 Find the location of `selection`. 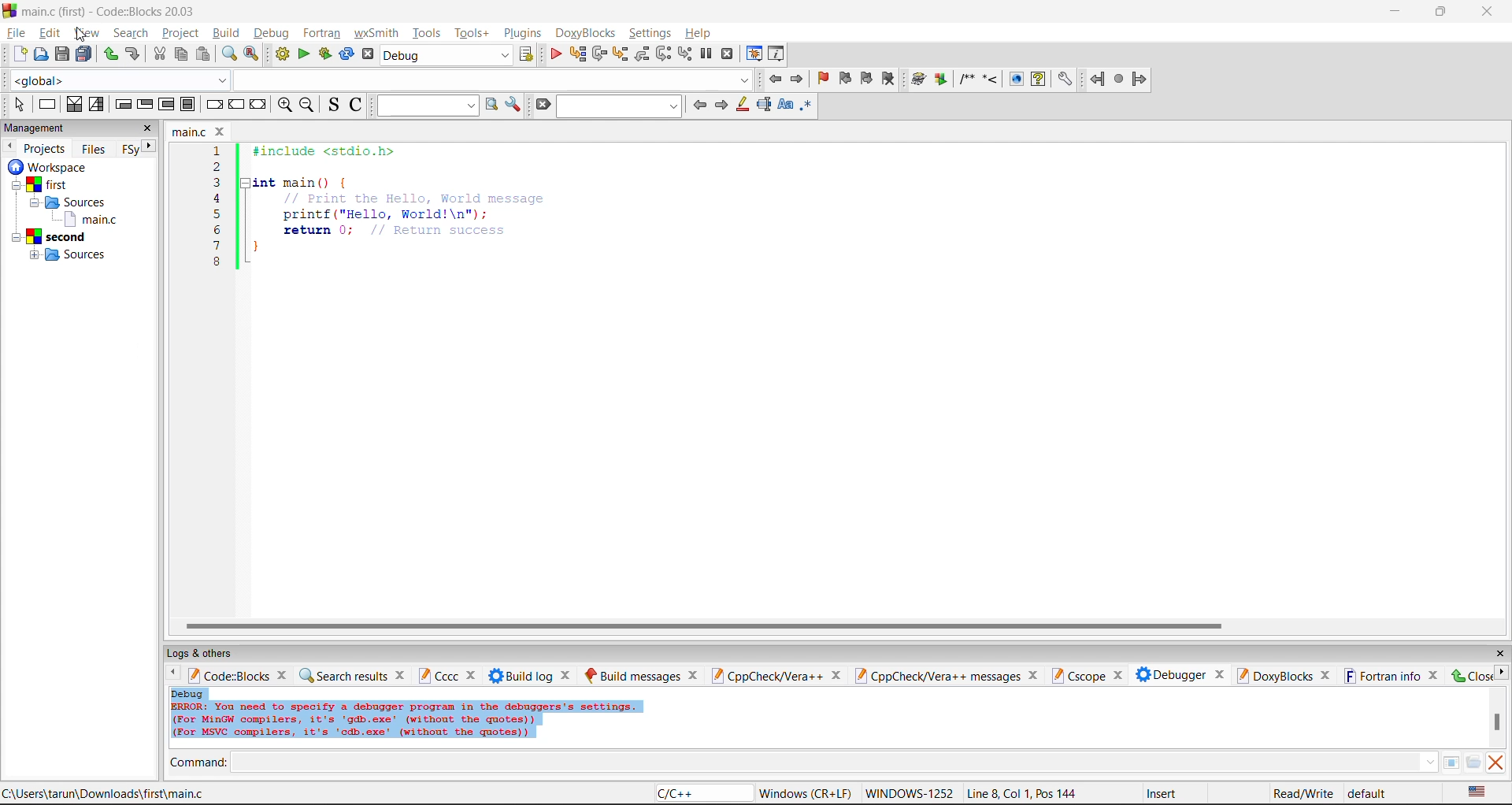

selection is located at coordinates (94, 104).